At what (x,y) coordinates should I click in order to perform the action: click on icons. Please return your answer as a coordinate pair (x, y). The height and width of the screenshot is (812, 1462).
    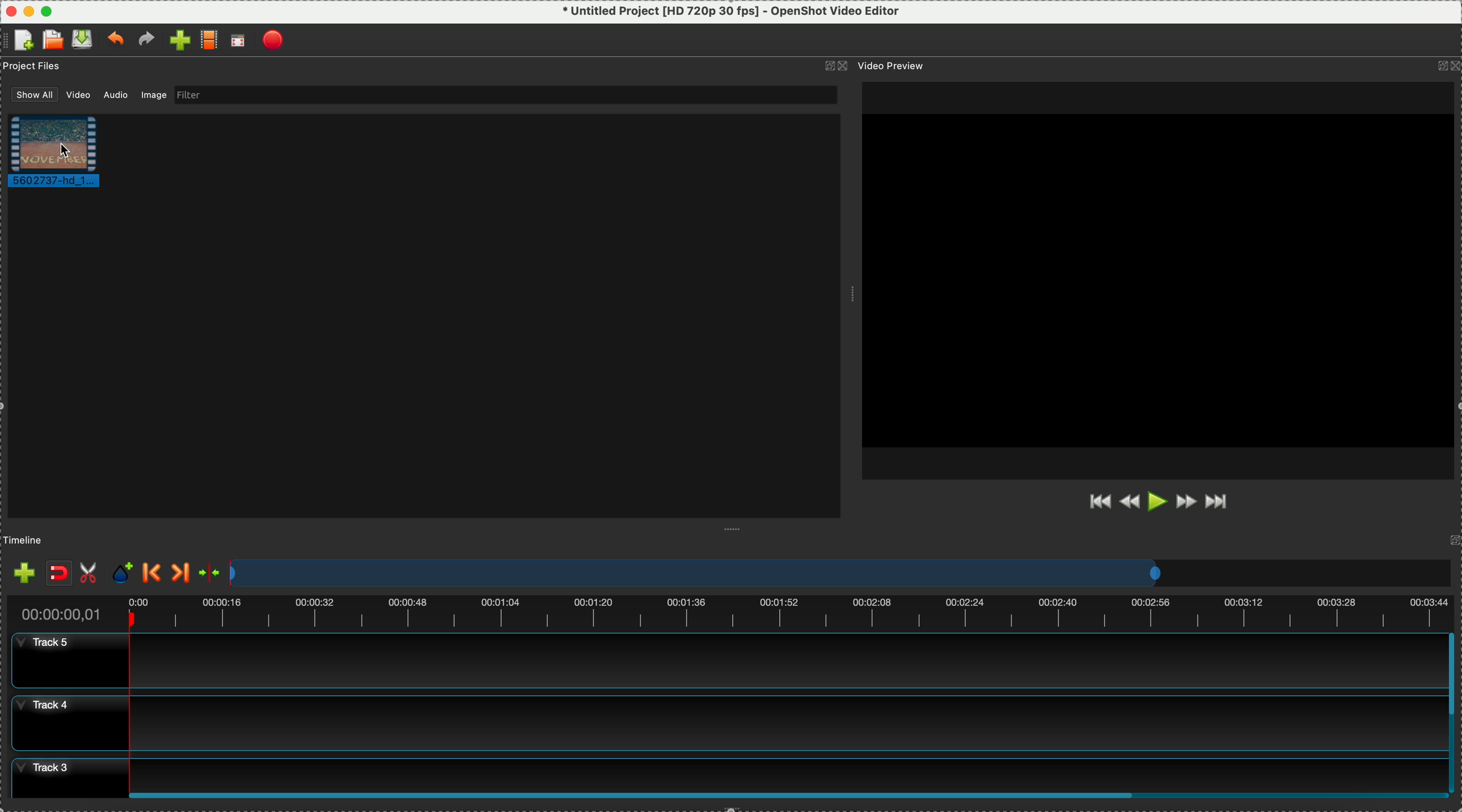
    Looking at the image, I should click on (835, 66).